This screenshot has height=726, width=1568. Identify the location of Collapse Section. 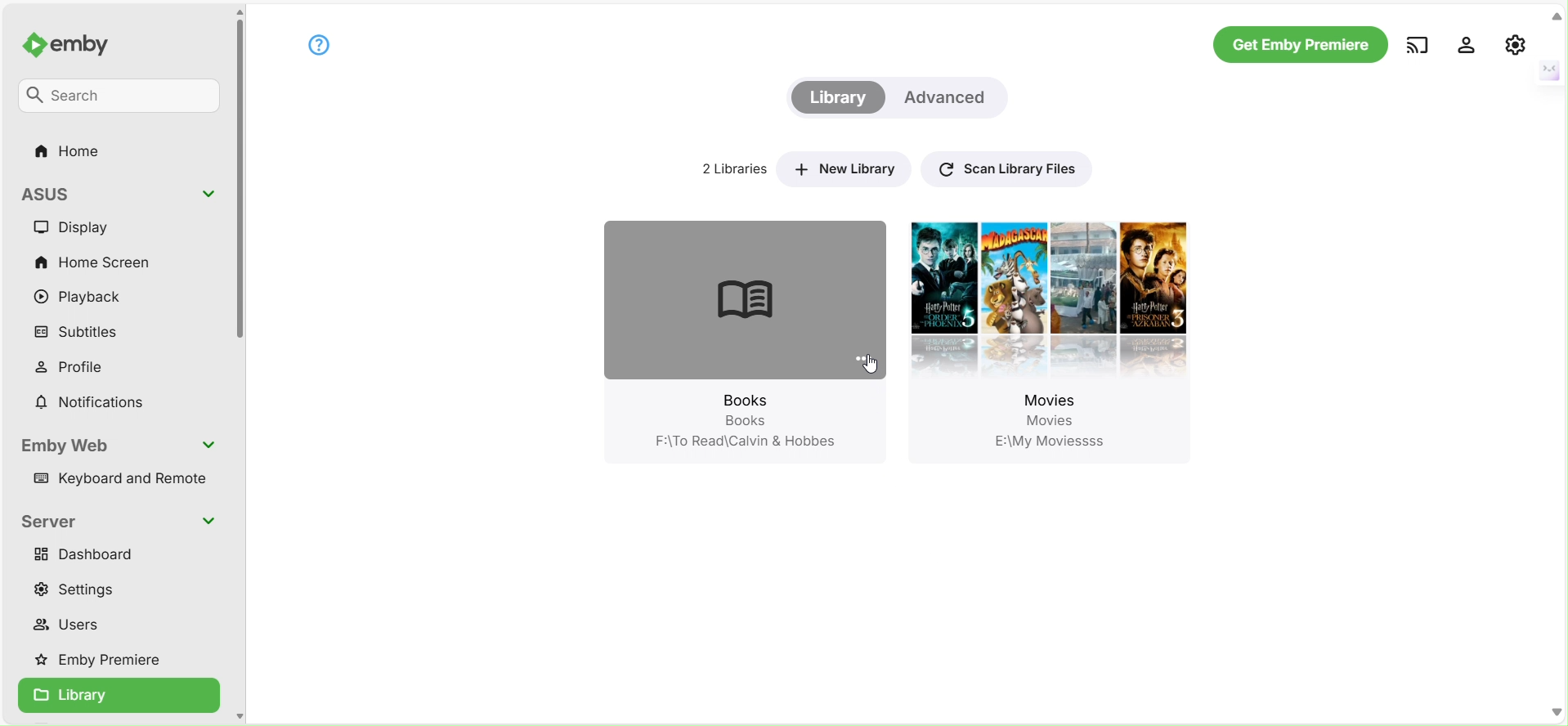
(210, 445).